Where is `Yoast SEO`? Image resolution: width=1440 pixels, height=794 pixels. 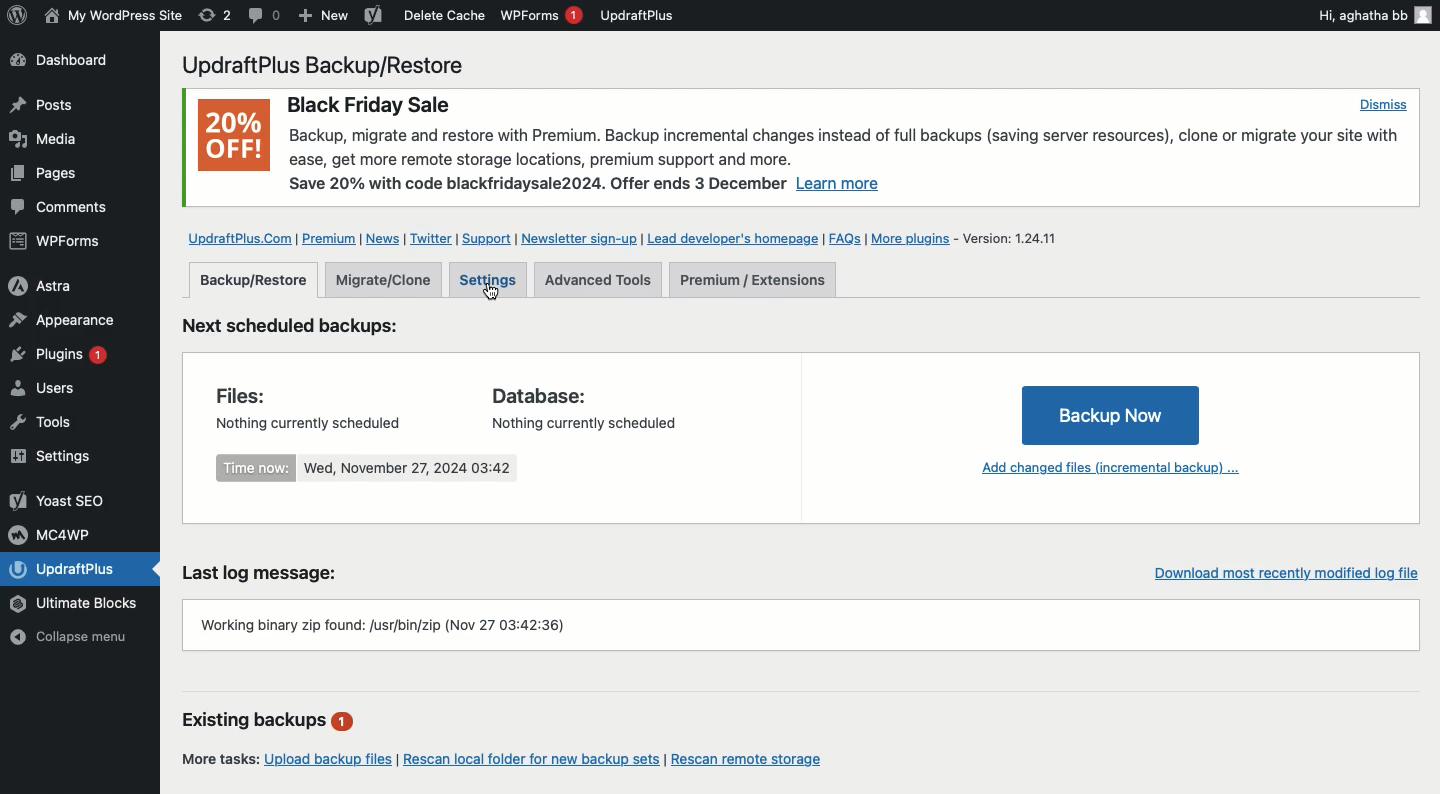
Yoast SEO is located at coordinates (60, 500).